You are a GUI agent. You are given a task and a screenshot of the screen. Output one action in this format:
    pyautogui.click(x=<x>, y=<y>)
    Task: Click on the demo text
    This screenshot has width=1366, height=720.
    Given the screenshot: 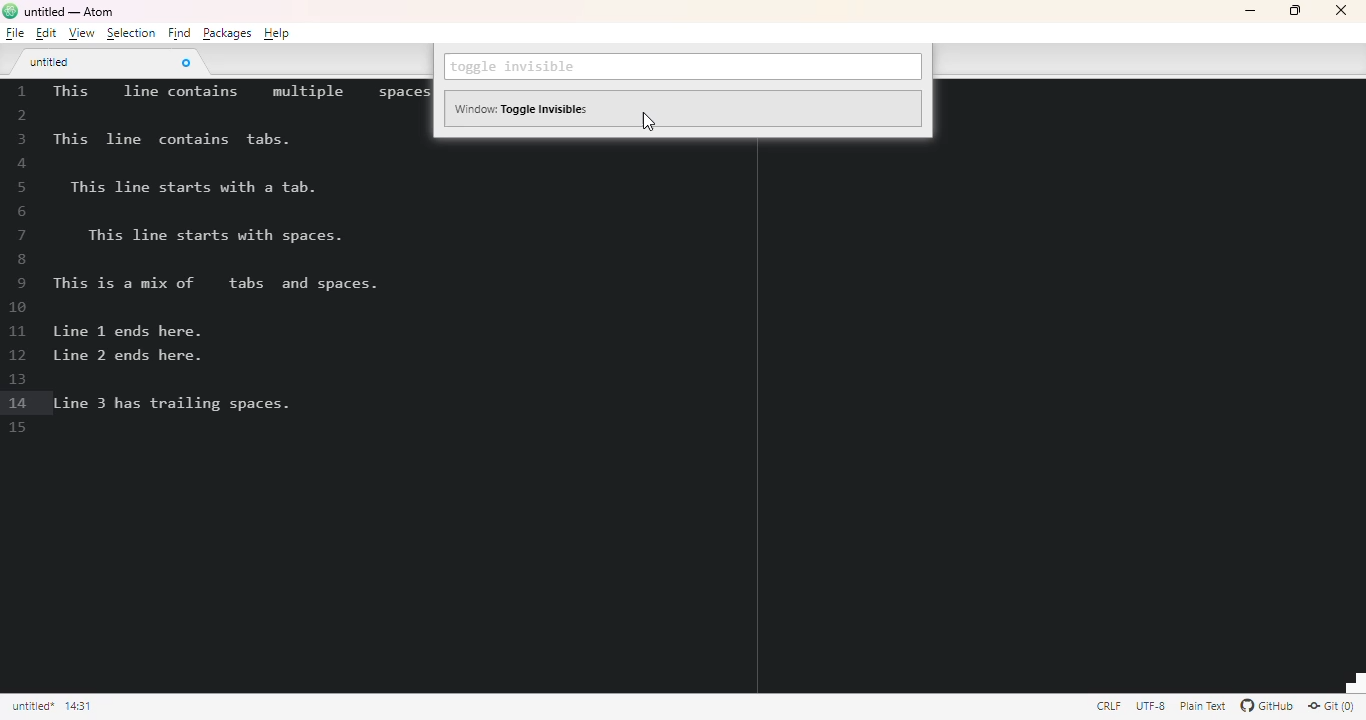 What is the action you would take?
    pyautogui.click(x=235, y=248)
    